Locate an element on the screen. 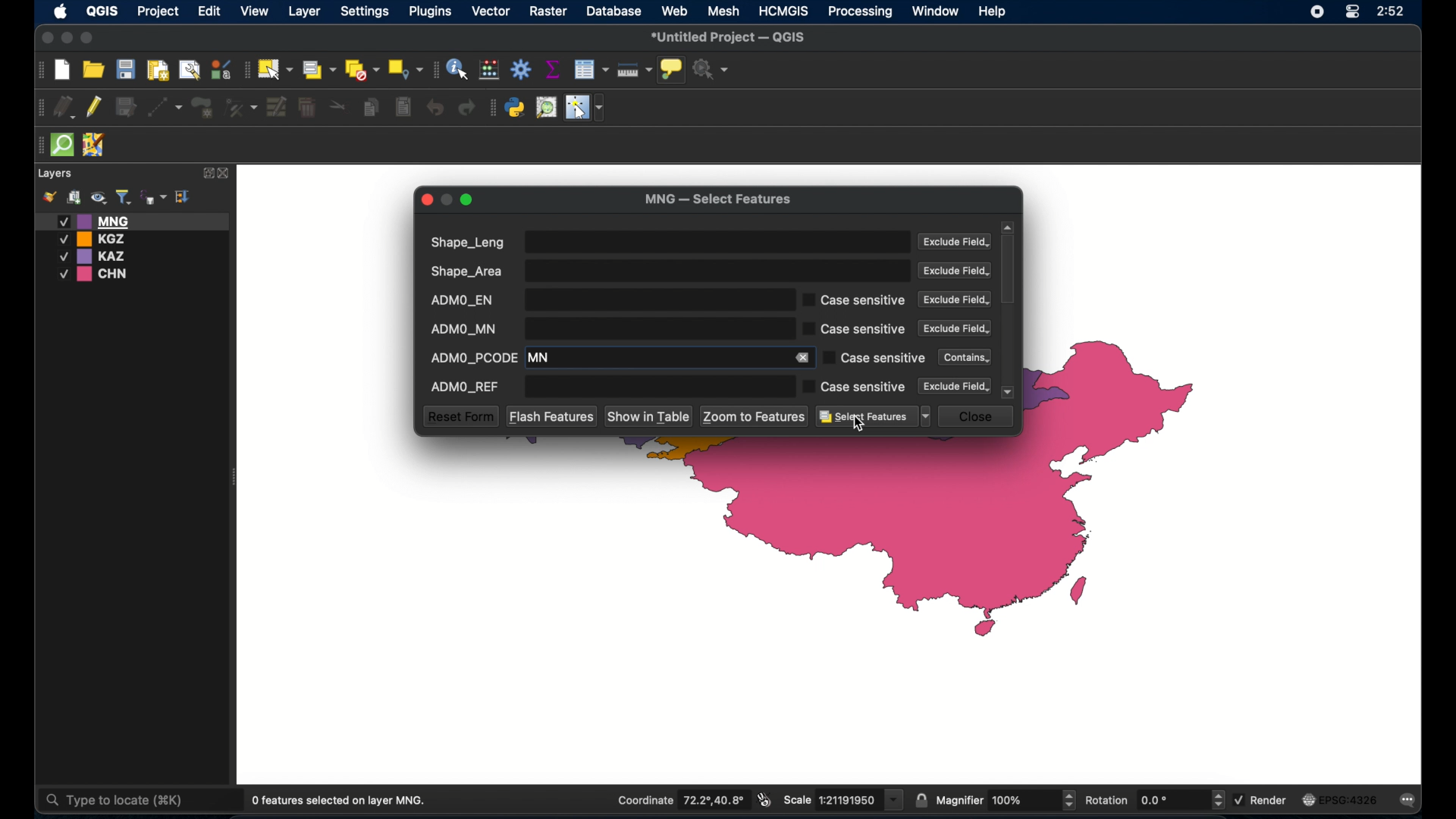  plugins is located at coordinates (431, 11).